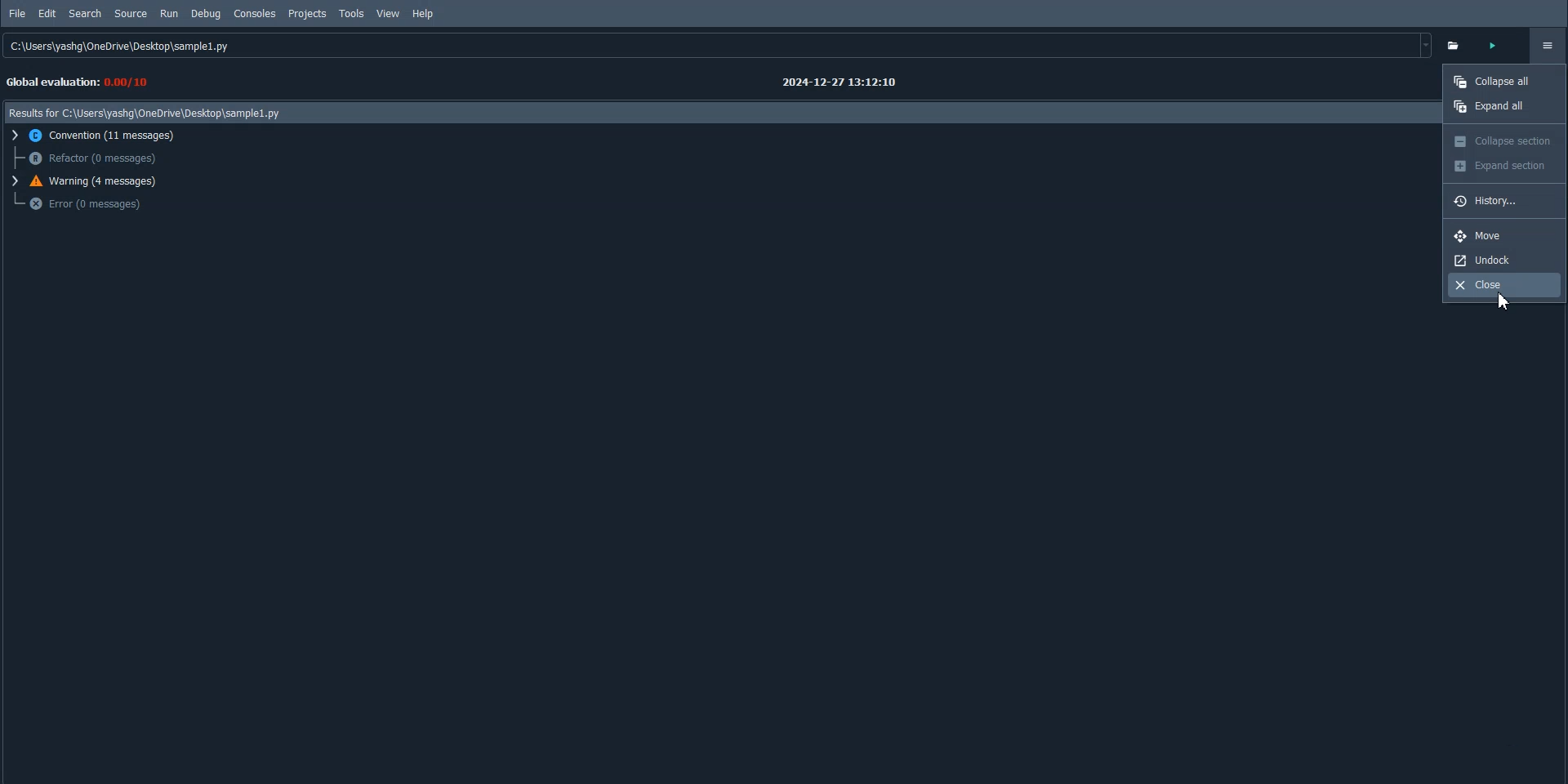 This screenshot has height=784, width=1568. Describe the element at coordinates (256, 14) in the screenshot. I see `Consoles` at that location.